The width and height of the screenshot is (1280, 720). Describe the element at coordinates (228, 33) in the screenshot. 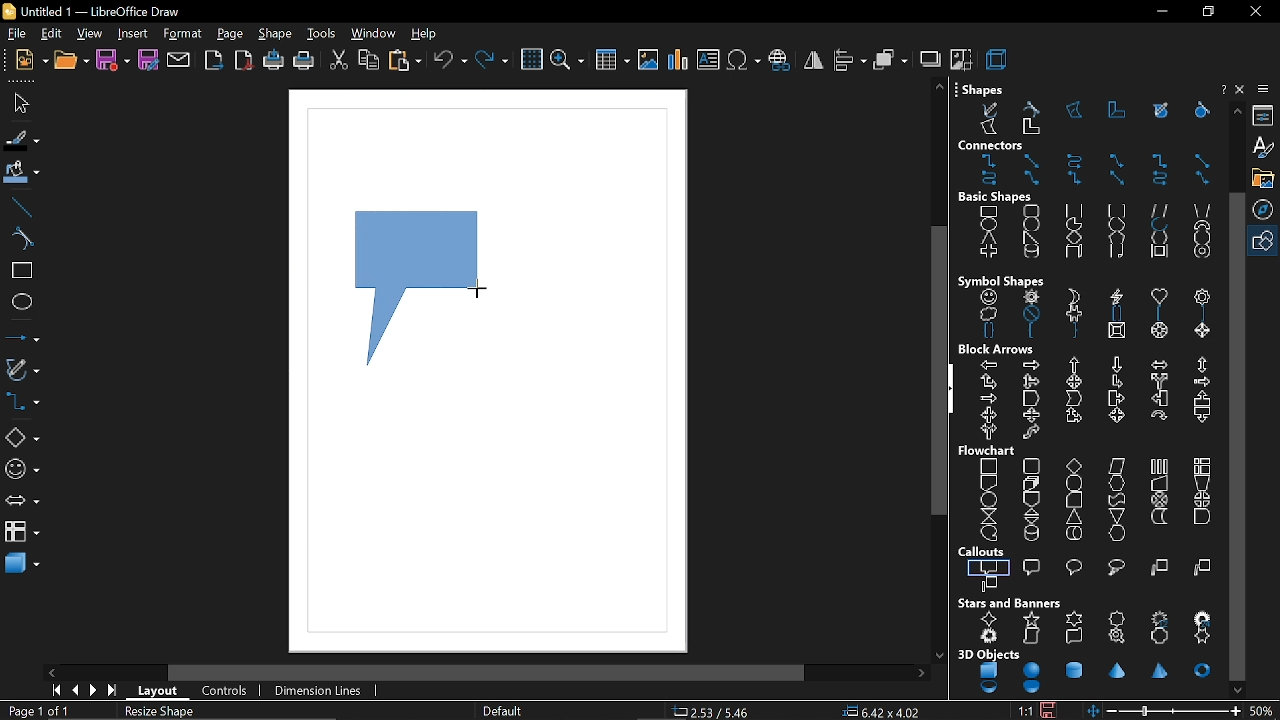

I see `page` at that location.